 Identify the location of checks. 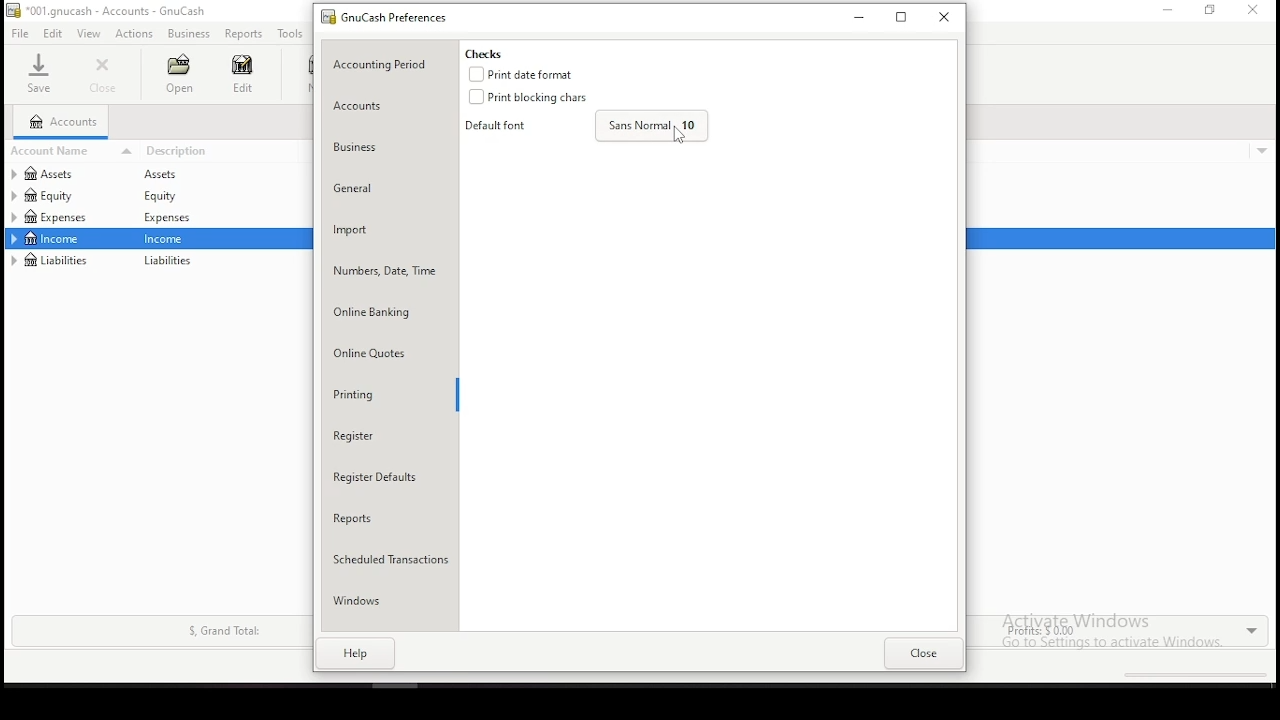
(482, 53).